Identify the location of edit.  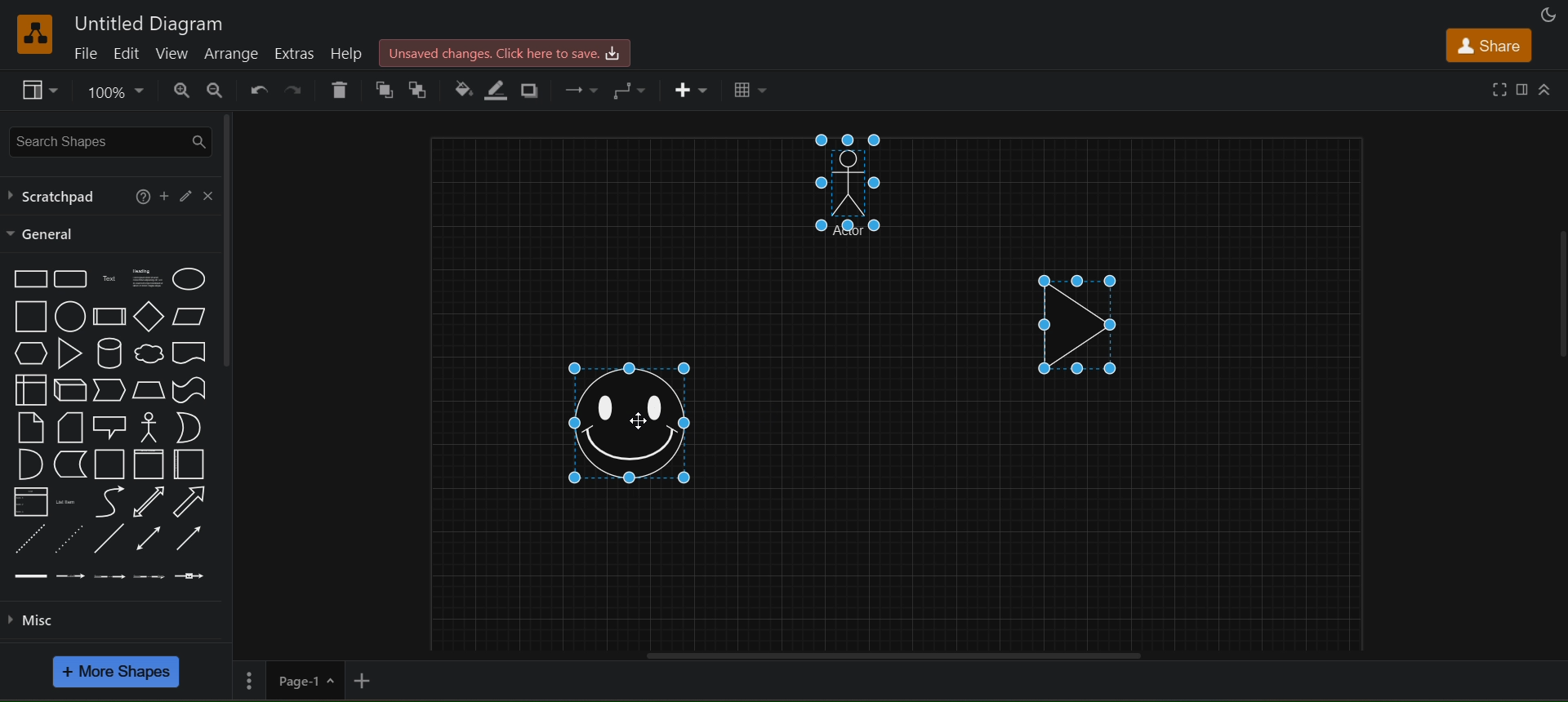
(126, 54).